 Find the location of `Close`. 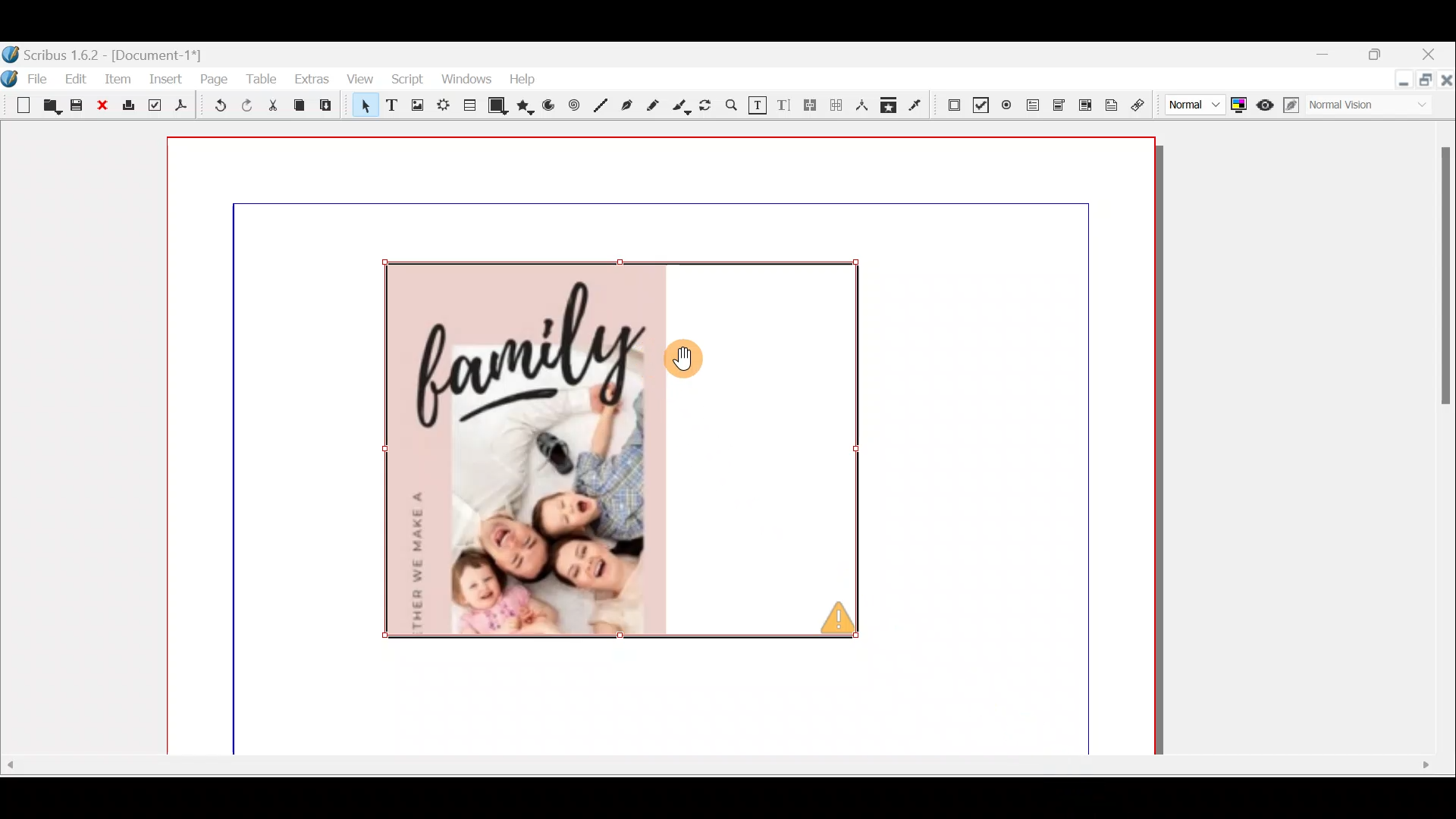

Close is located at coordinates (105, 106).